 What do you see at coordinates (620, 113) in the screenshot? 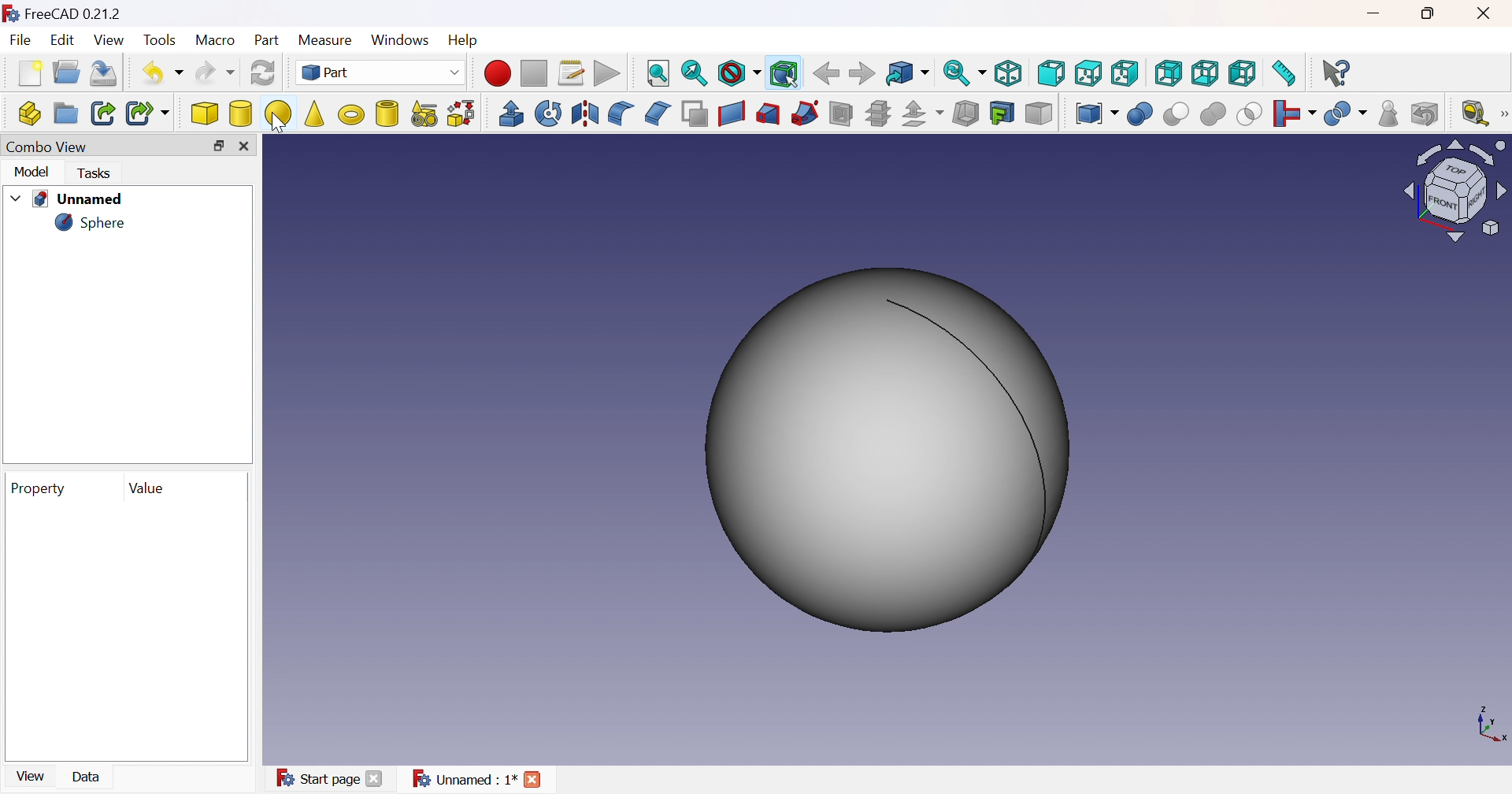
I see `Fillet` at bounding box center [620, 113].